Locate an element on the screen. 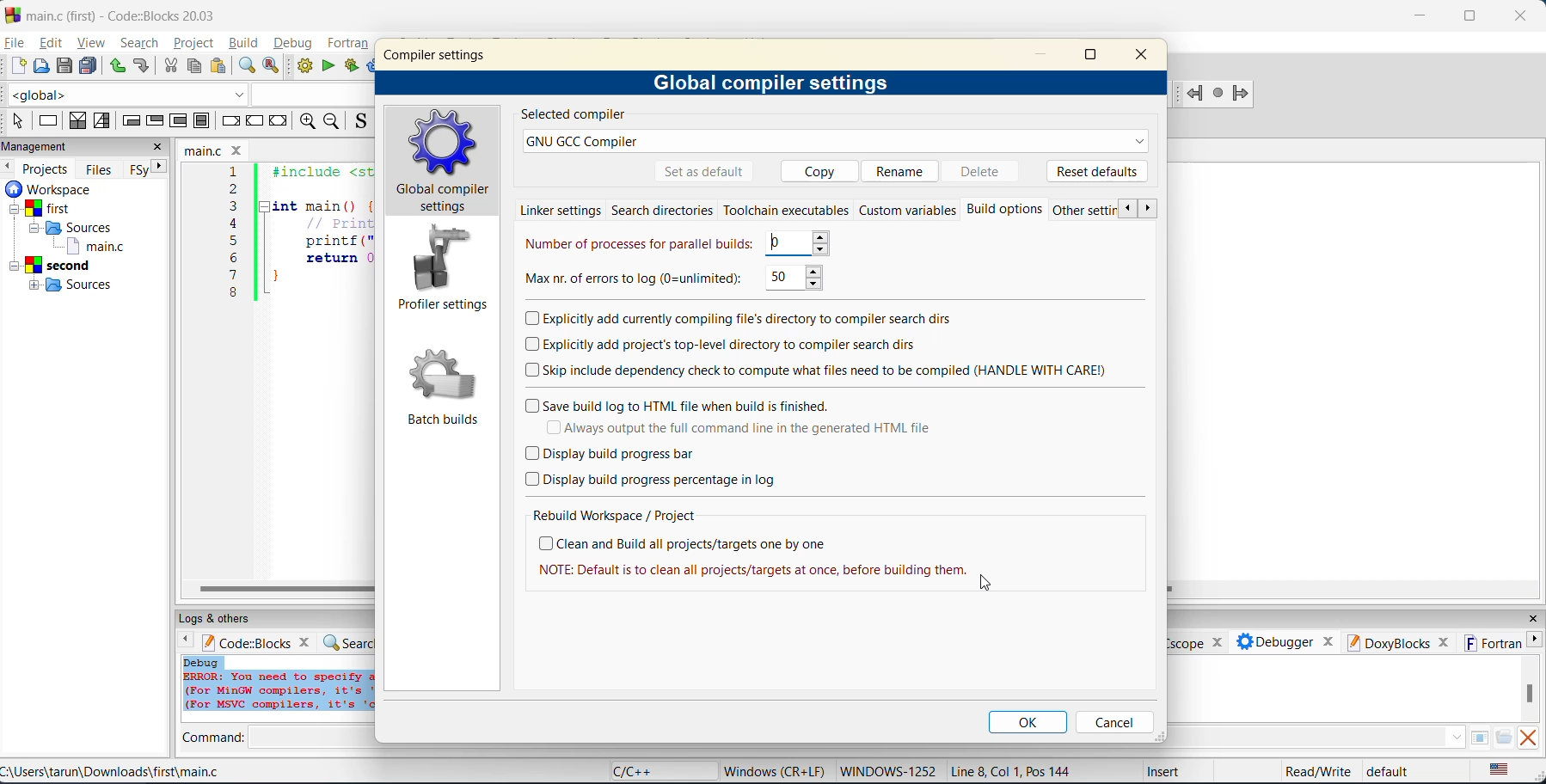 The width and height of the screenshot is (1546, 784). 'WINDOWS-1252 is located at coordinates (887, 771).